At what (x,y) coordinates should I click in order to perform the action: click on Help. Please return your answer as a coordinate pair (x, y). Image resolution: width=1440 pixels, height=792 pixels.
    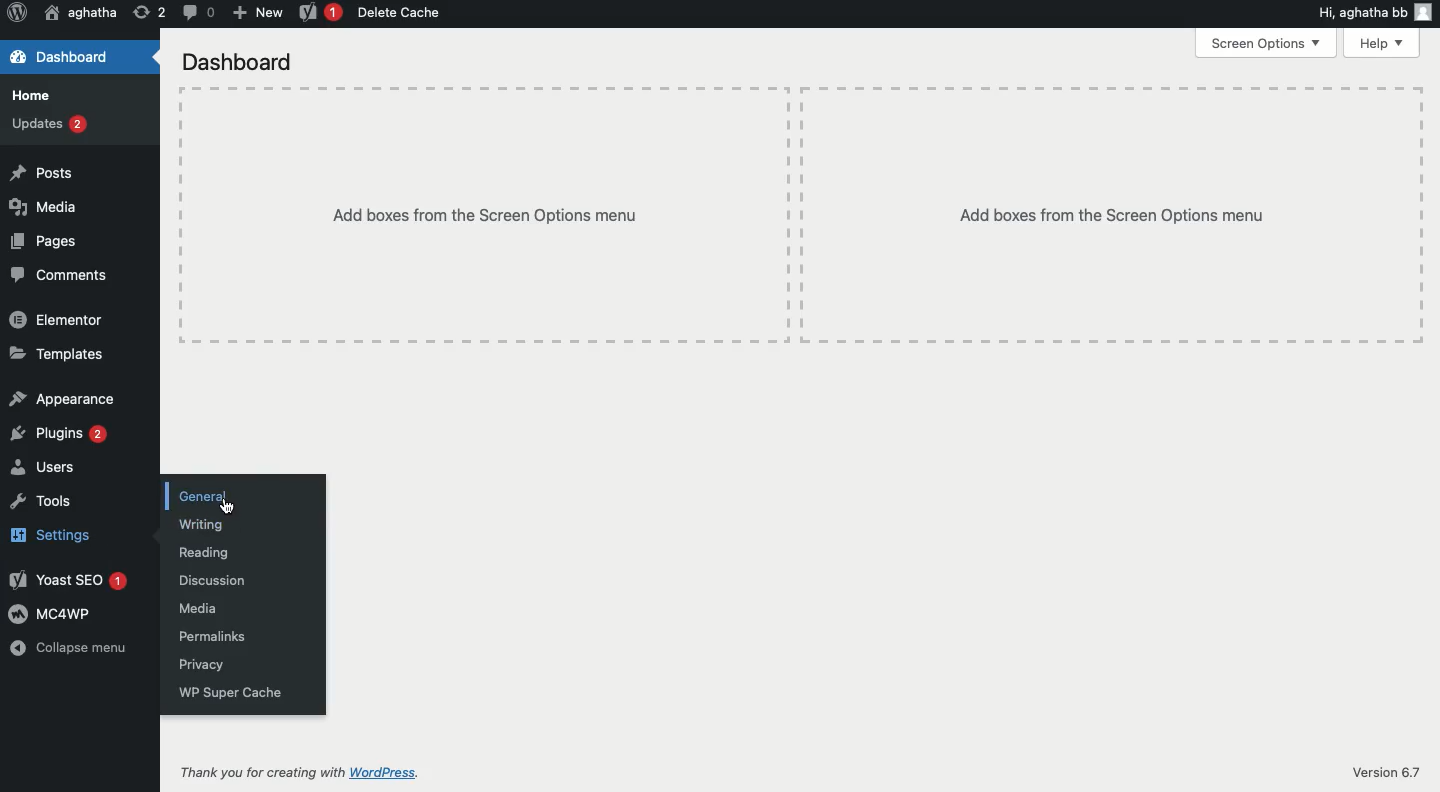
    Looking at the image, I should click on (1383, 43).